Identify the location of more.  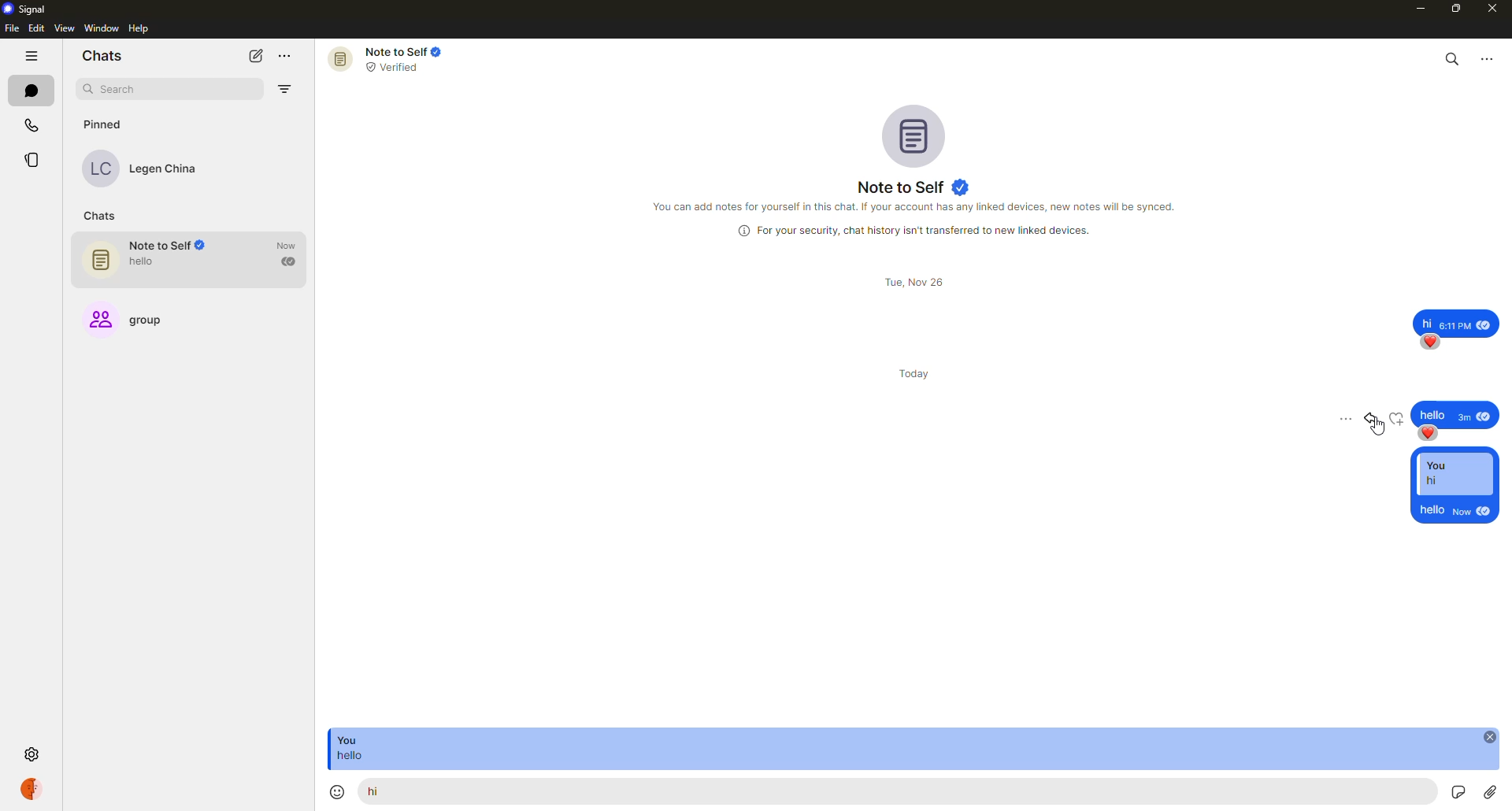
(289, 55).